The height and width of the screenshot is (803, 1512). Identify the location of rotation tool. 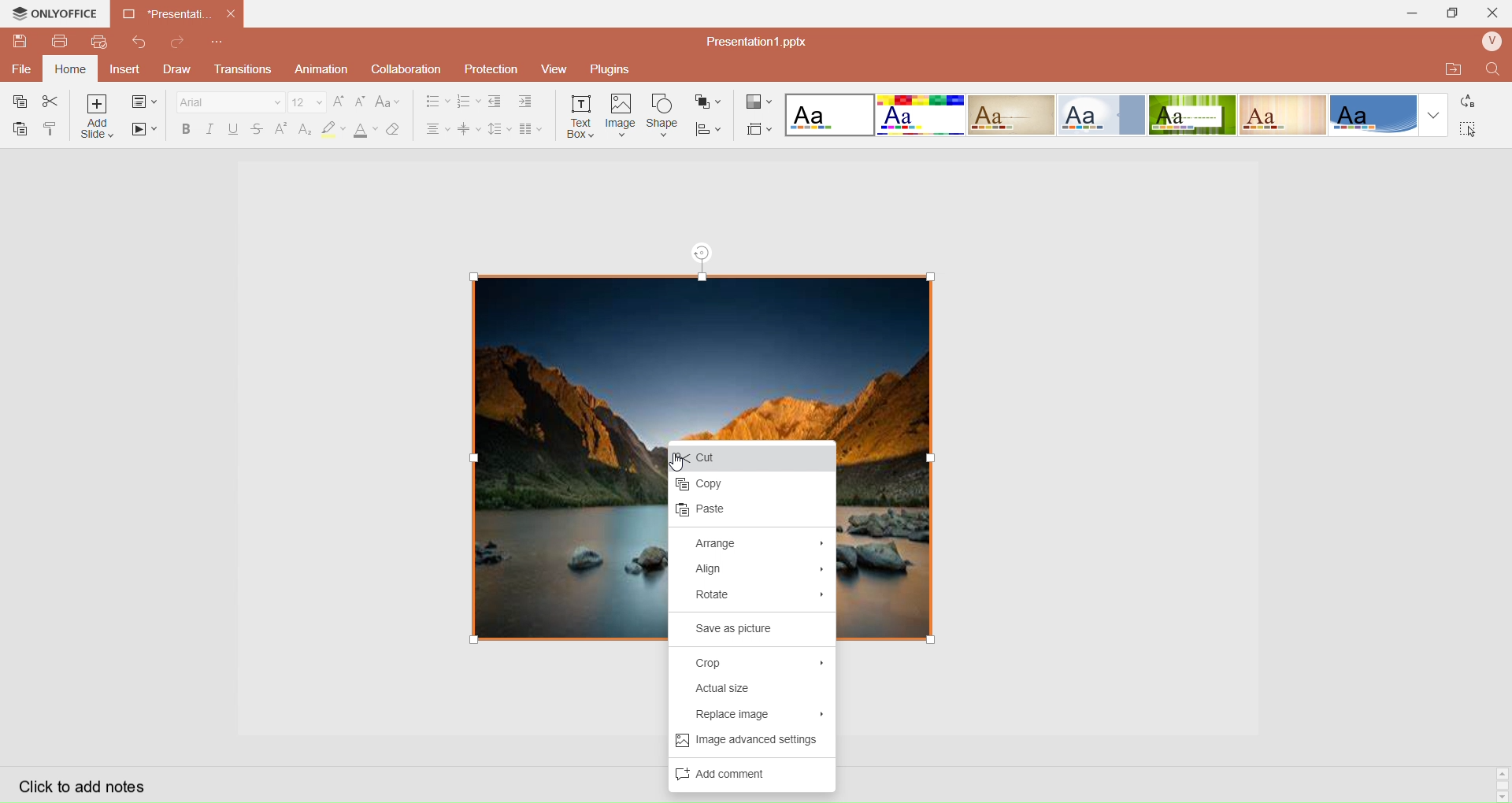
(703, 251).